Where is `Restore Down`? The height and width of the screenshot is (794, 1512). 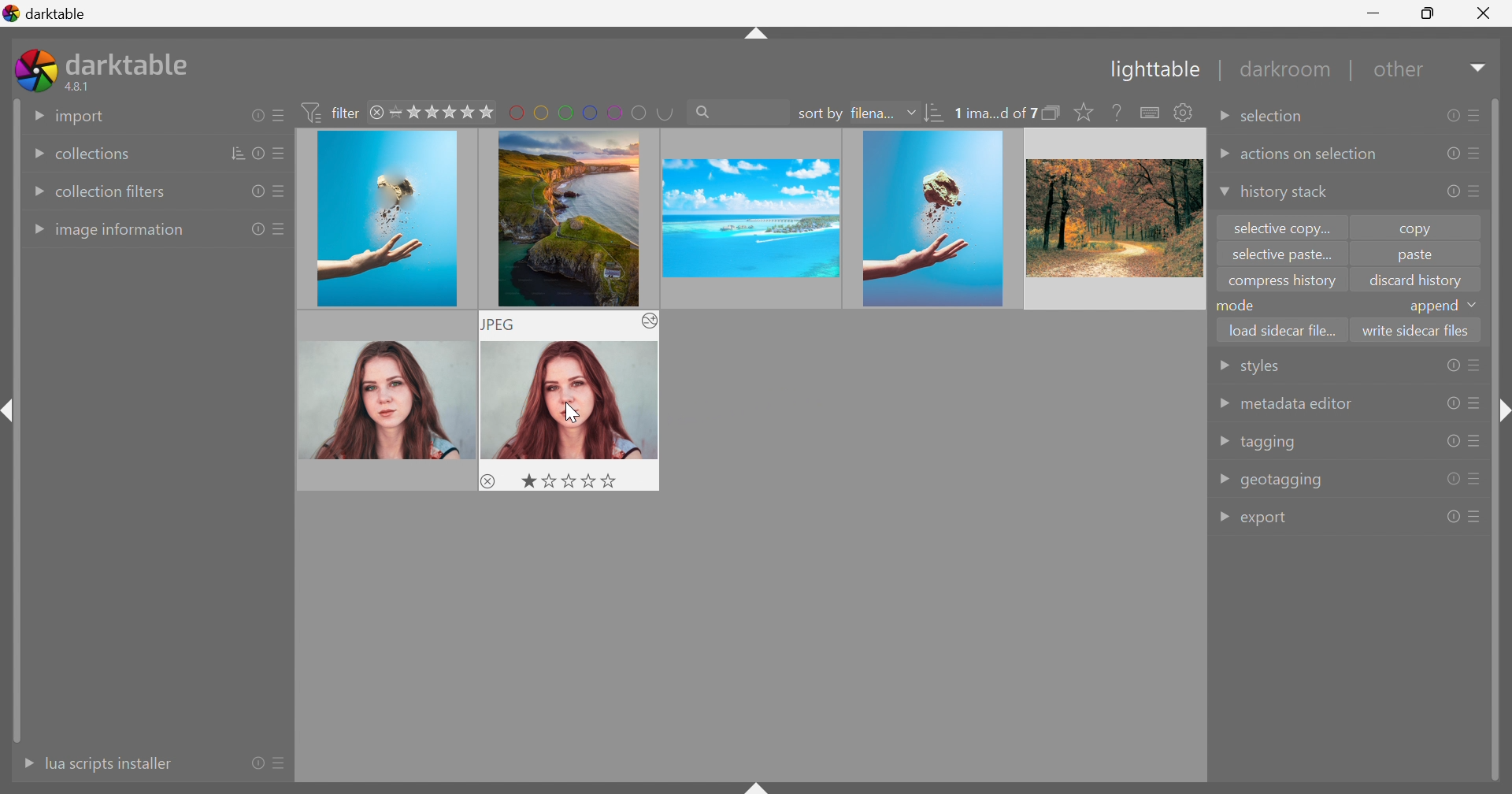
Restore Down is located at coordinates (1429, 11).